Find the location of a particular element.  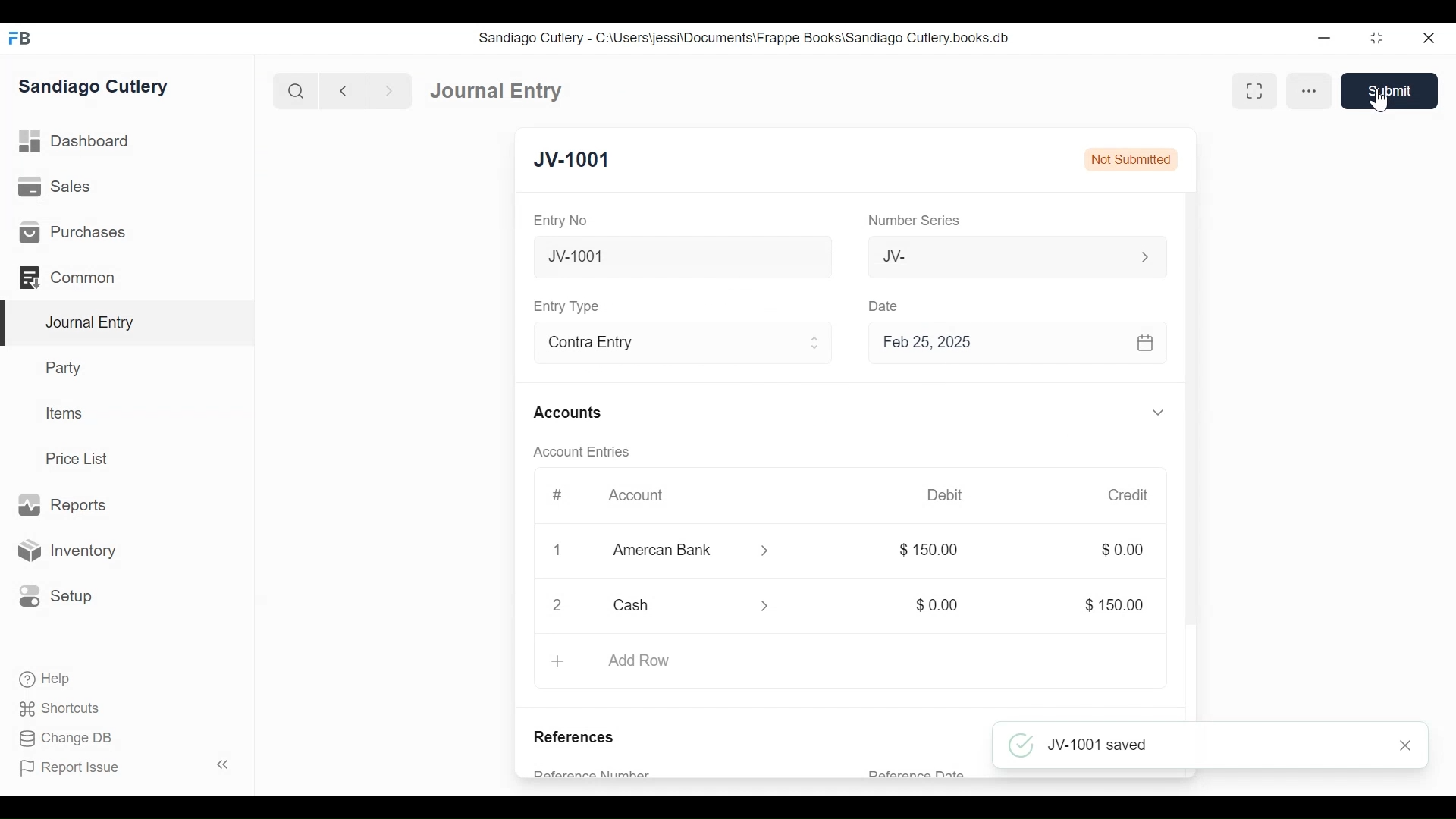

Close is located at coordinates (1407, 744).